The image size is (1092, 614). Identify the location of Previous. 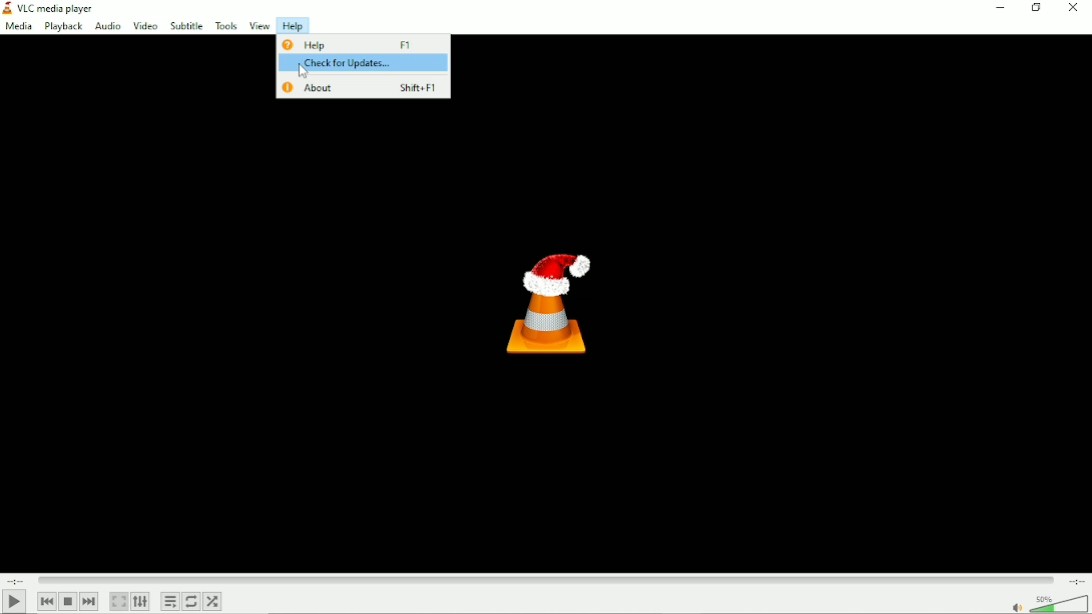
(47, 601).